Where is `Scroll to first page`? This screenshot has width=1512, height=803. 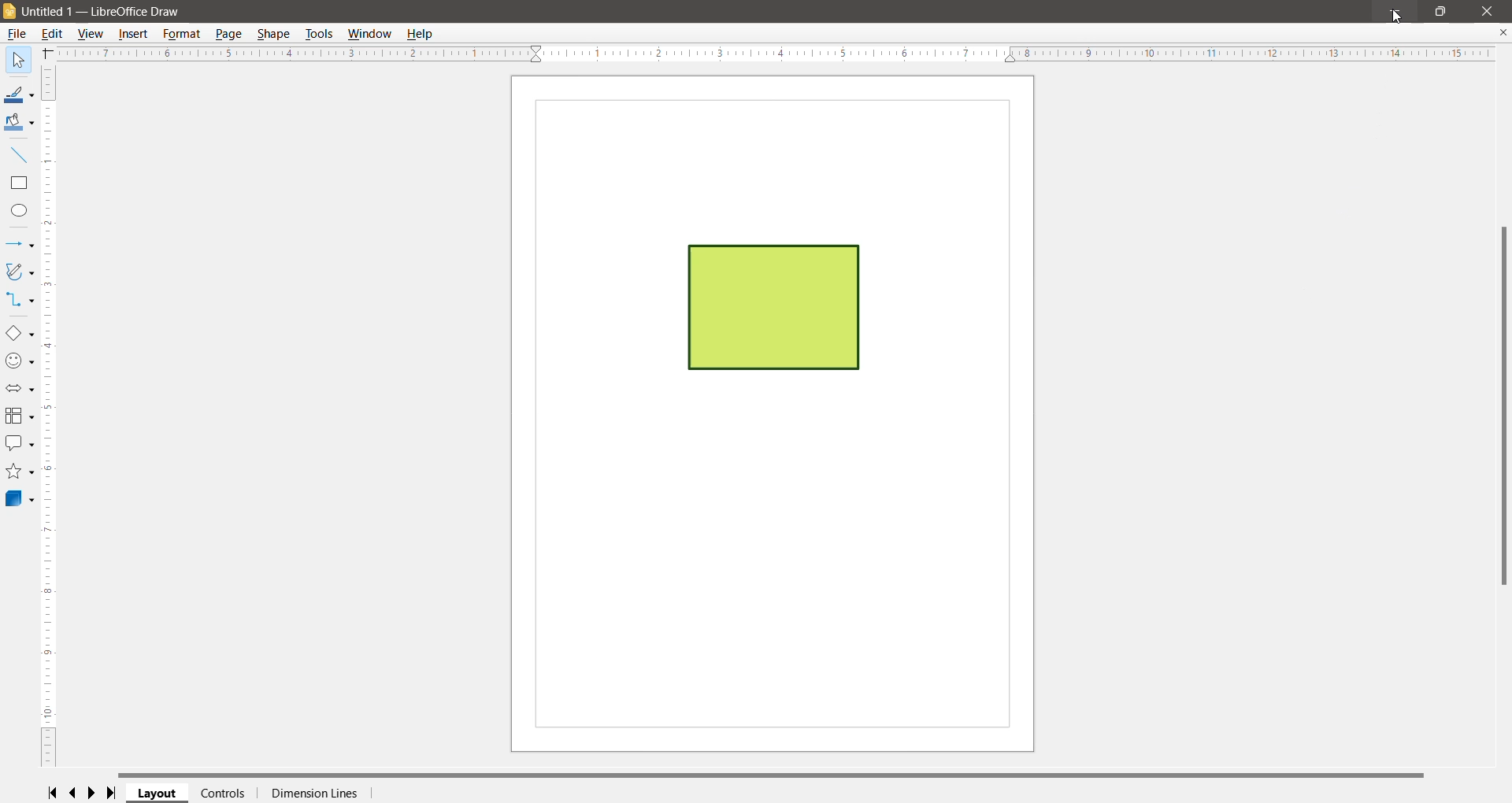 Scroll to first page is located at coordinates (51, 792).